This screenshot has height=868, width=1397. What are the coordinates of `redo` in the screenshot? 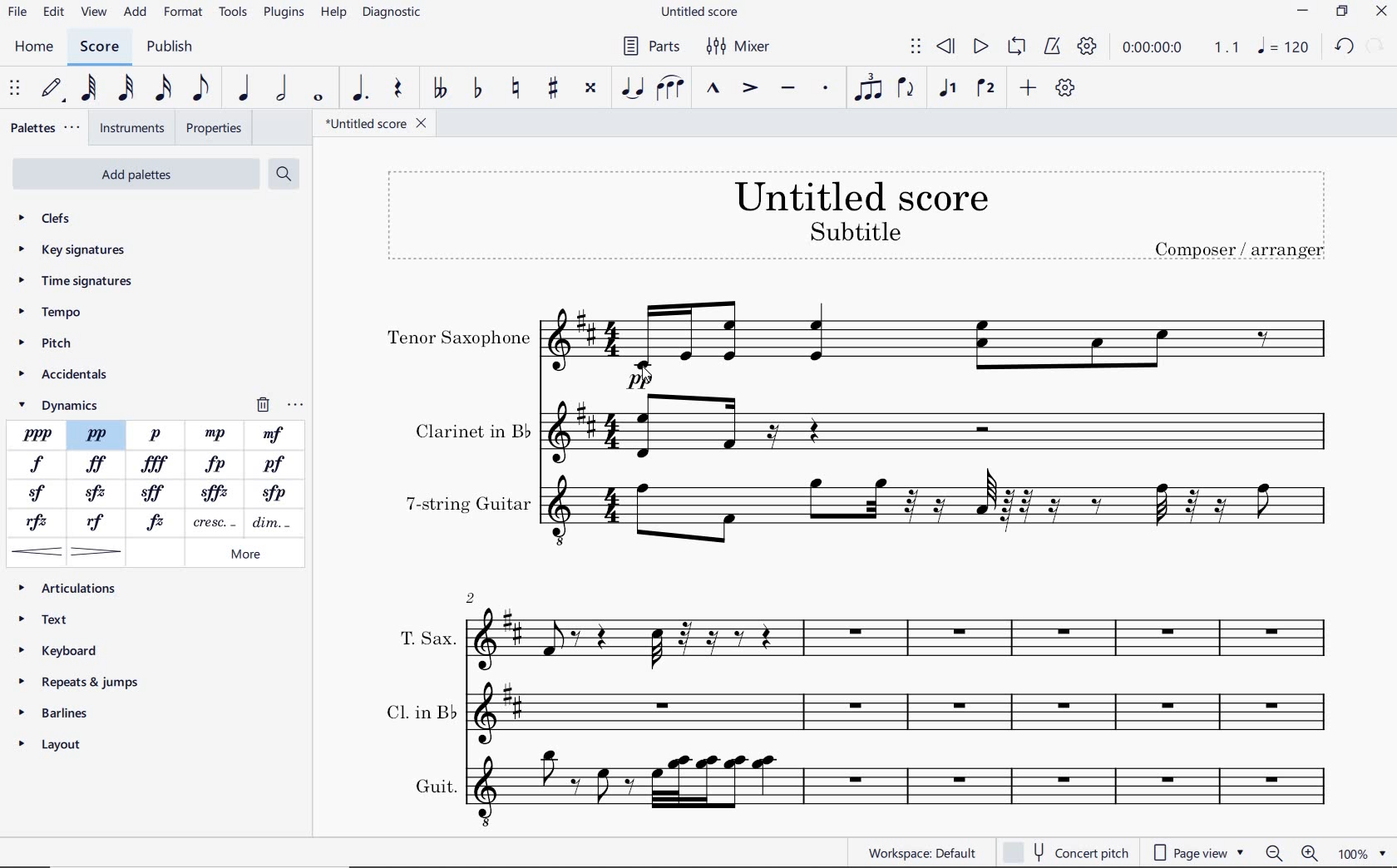 It's located at (1375, 47).